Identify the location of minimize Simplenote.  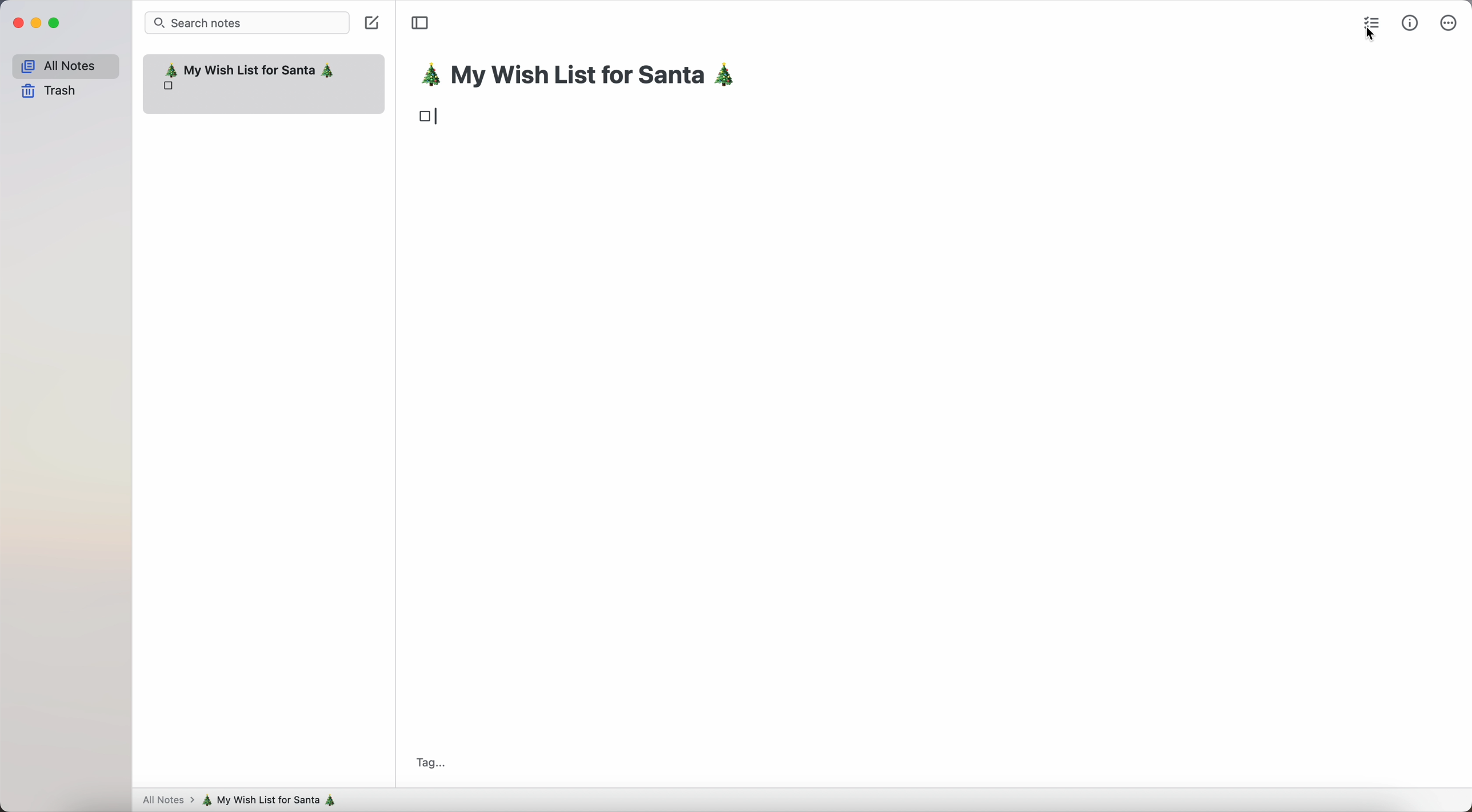
(36, 23).